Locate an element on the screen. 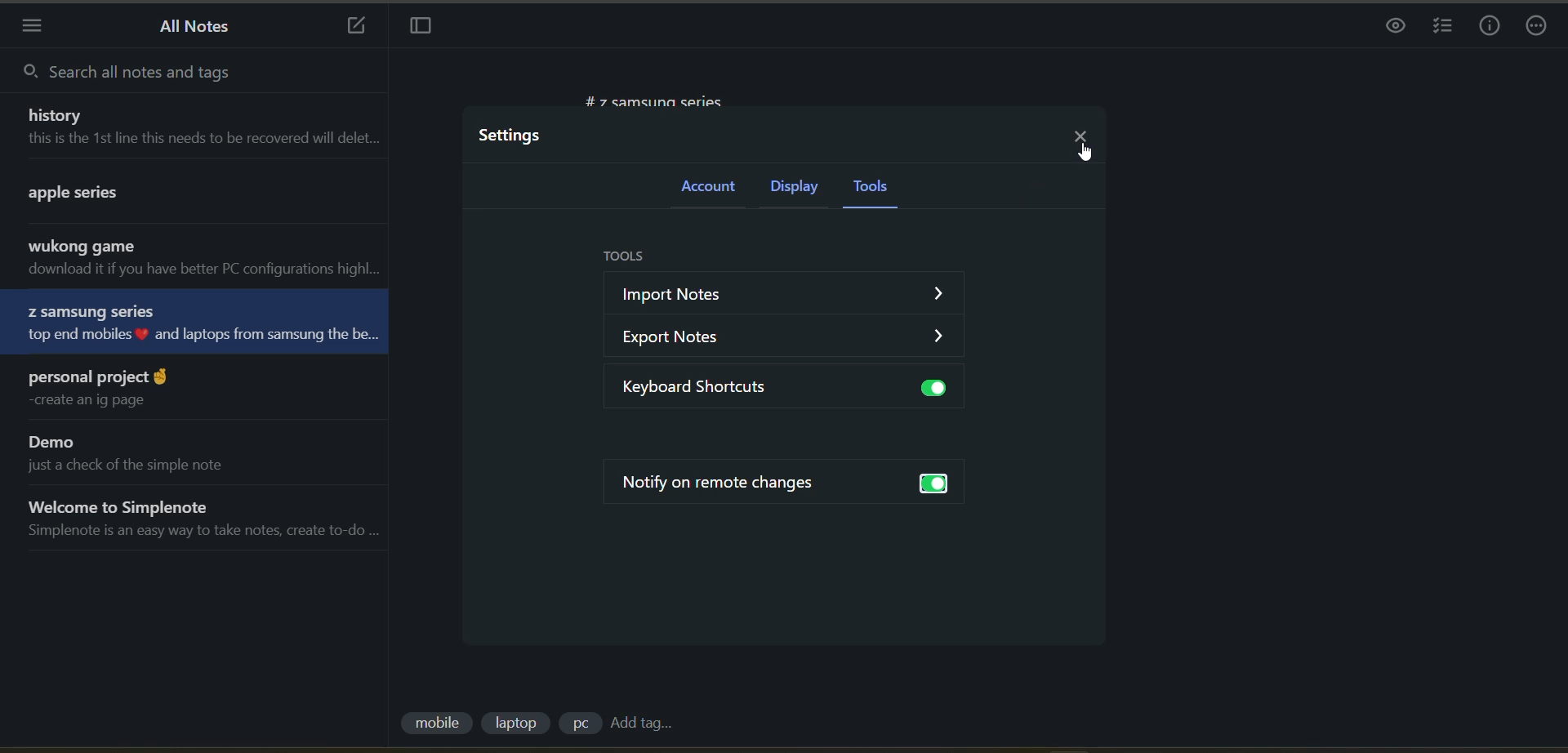 Image resolution: width=1568 pixels, height=753 pixels. note title and preview is located at coordinates (155, 453).